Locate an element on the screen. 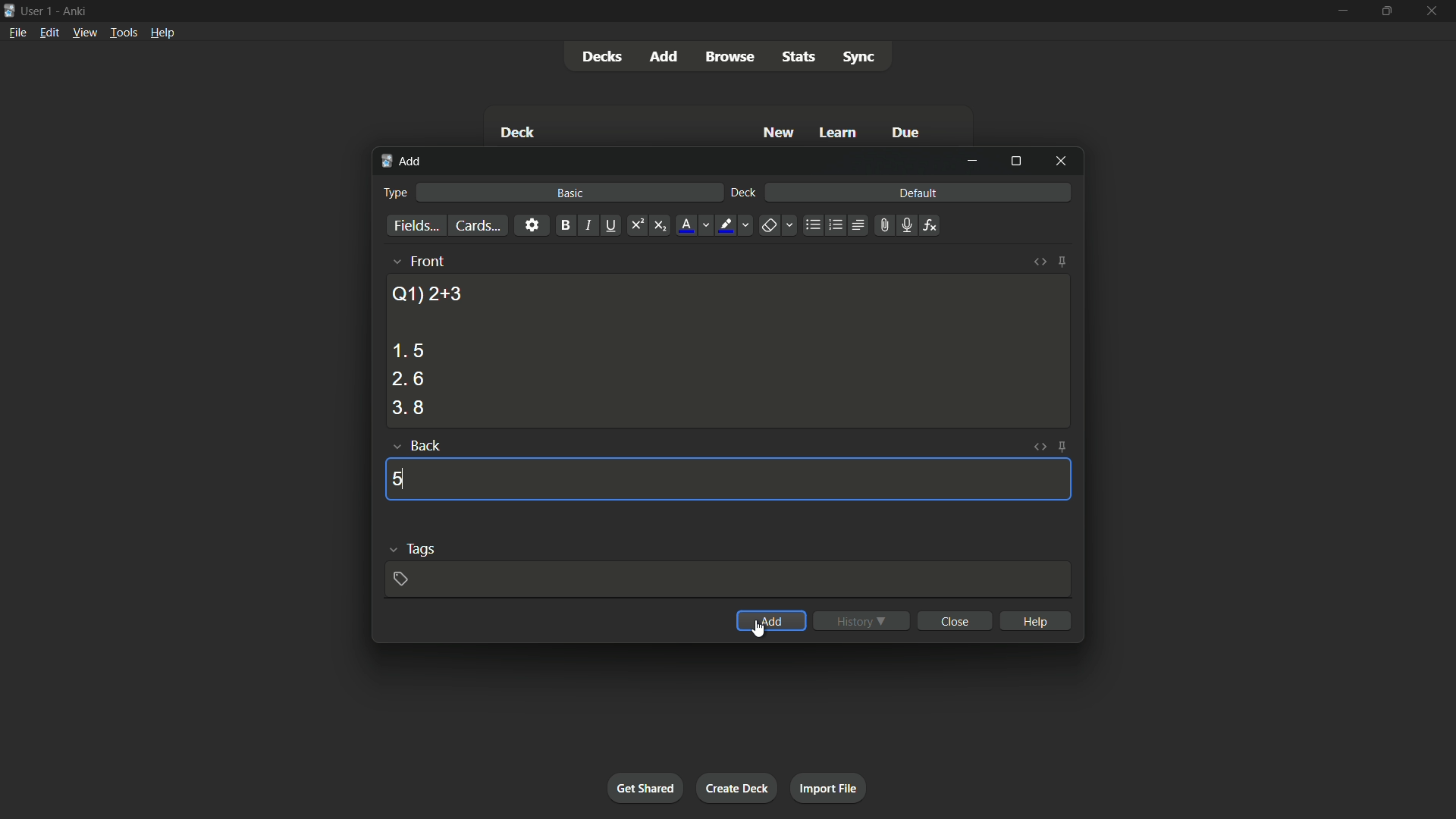  front is located at coordinates (426, 261).